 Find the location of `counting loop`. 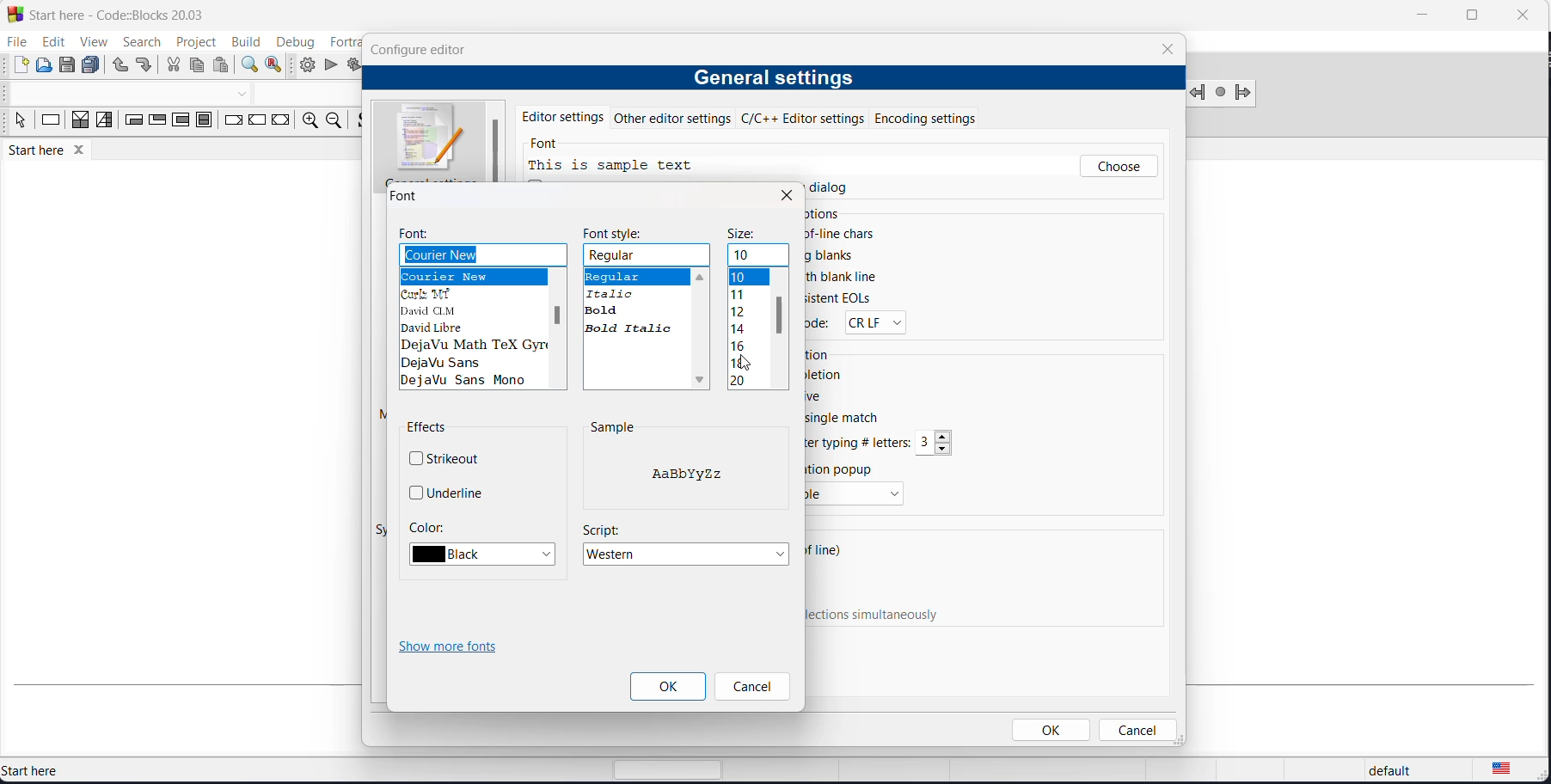

counting loop is located at coordinates (180, 122).